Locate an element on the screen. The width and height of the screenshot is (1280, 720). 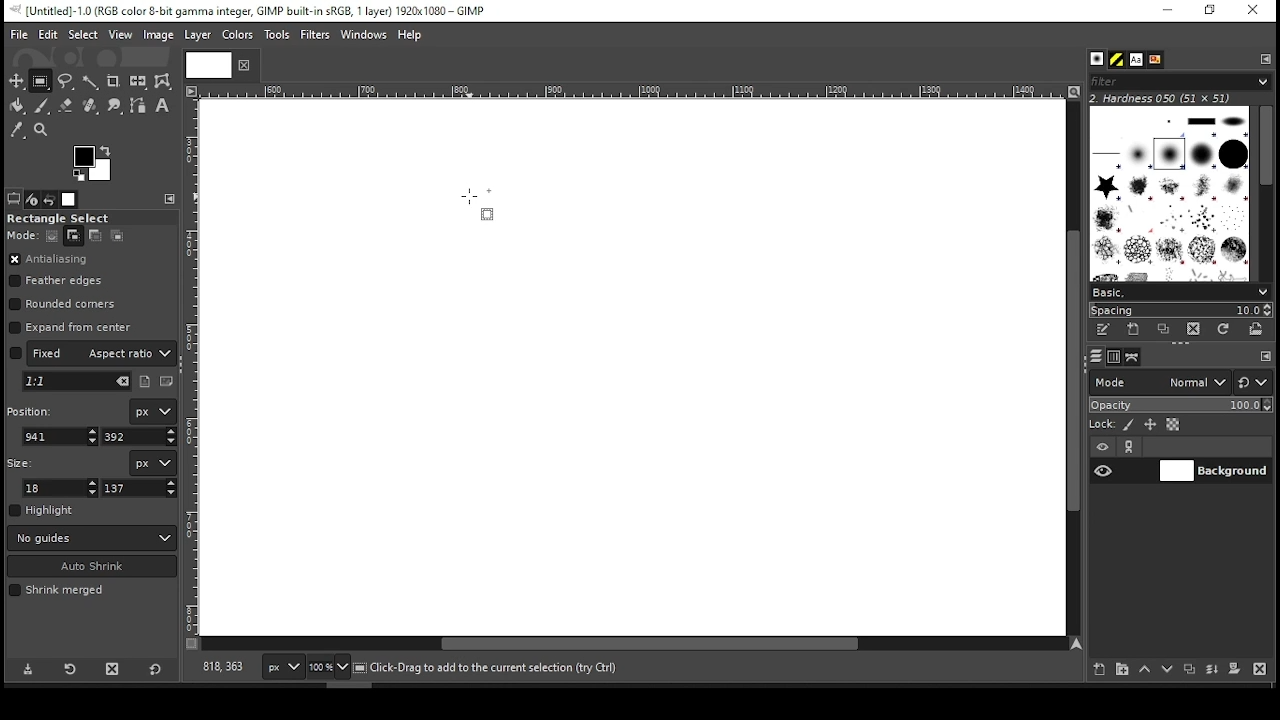
switch to other mode groups is located at coordinates (1252, 384).